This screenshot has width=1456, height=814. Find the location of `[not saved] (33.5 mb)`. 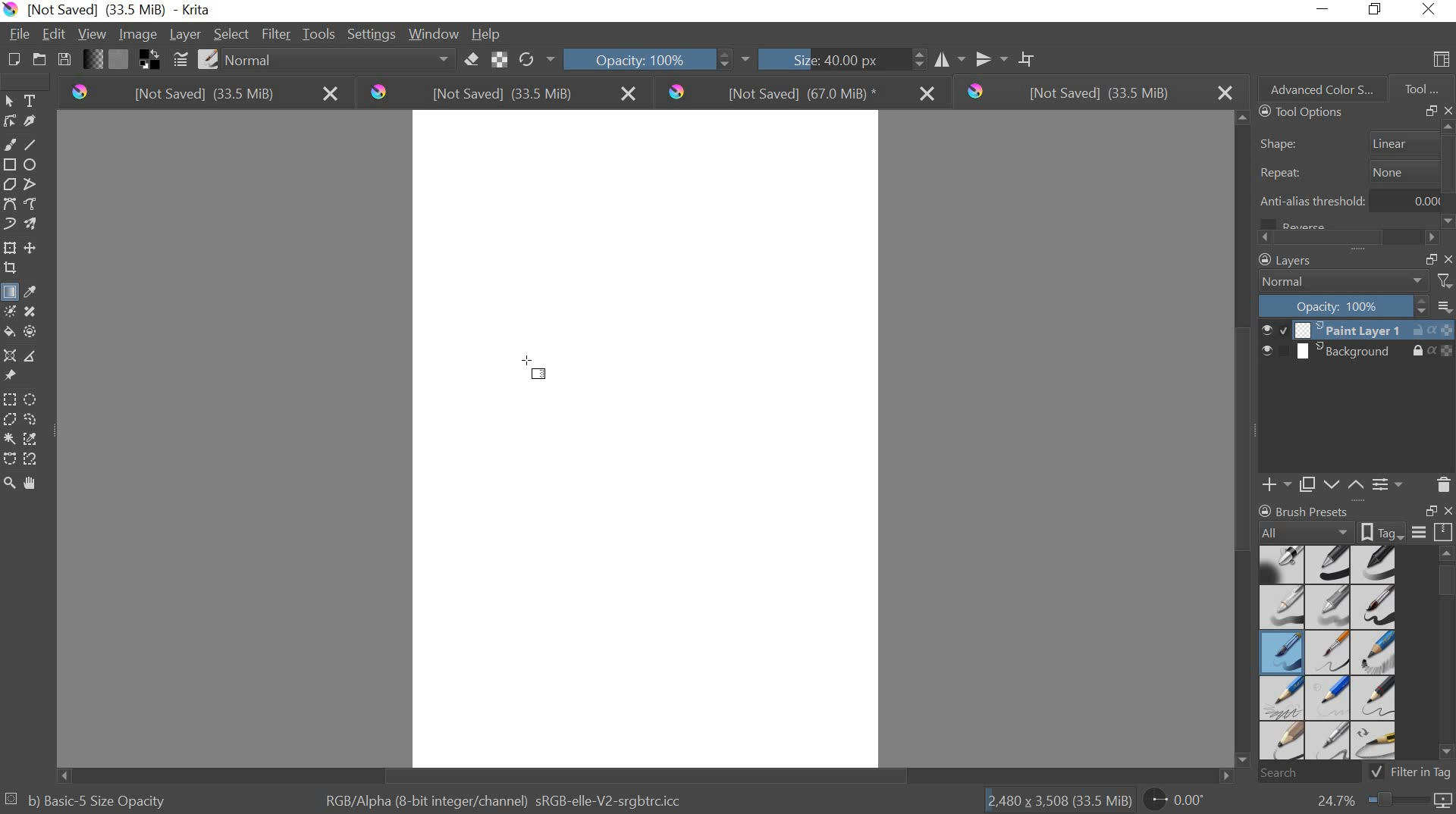

[not saved] (33.5 mb) is located at coordinates (504, 94).